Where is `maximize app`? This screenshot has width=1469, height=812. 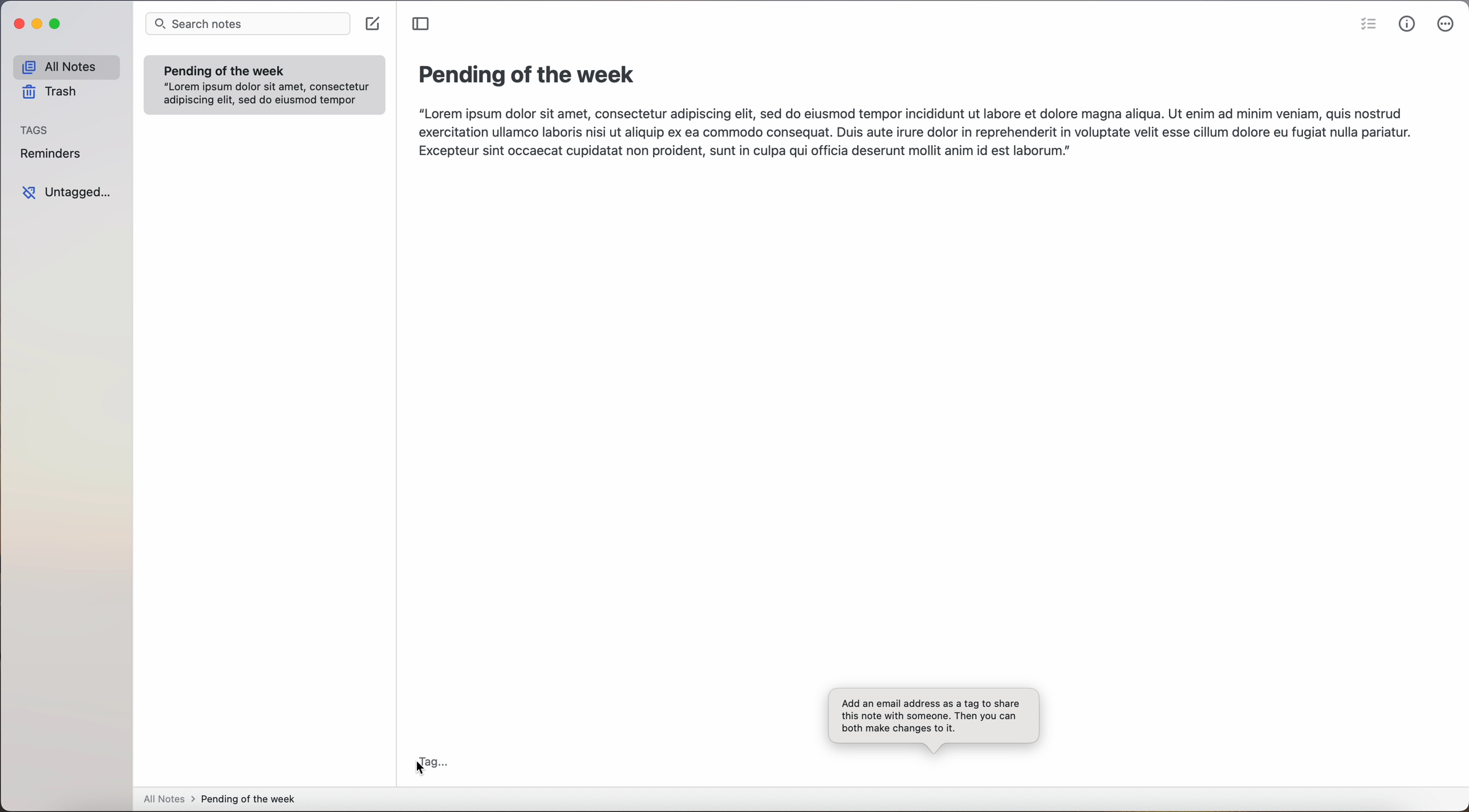
maximize app is located at coordinates (57, 24).